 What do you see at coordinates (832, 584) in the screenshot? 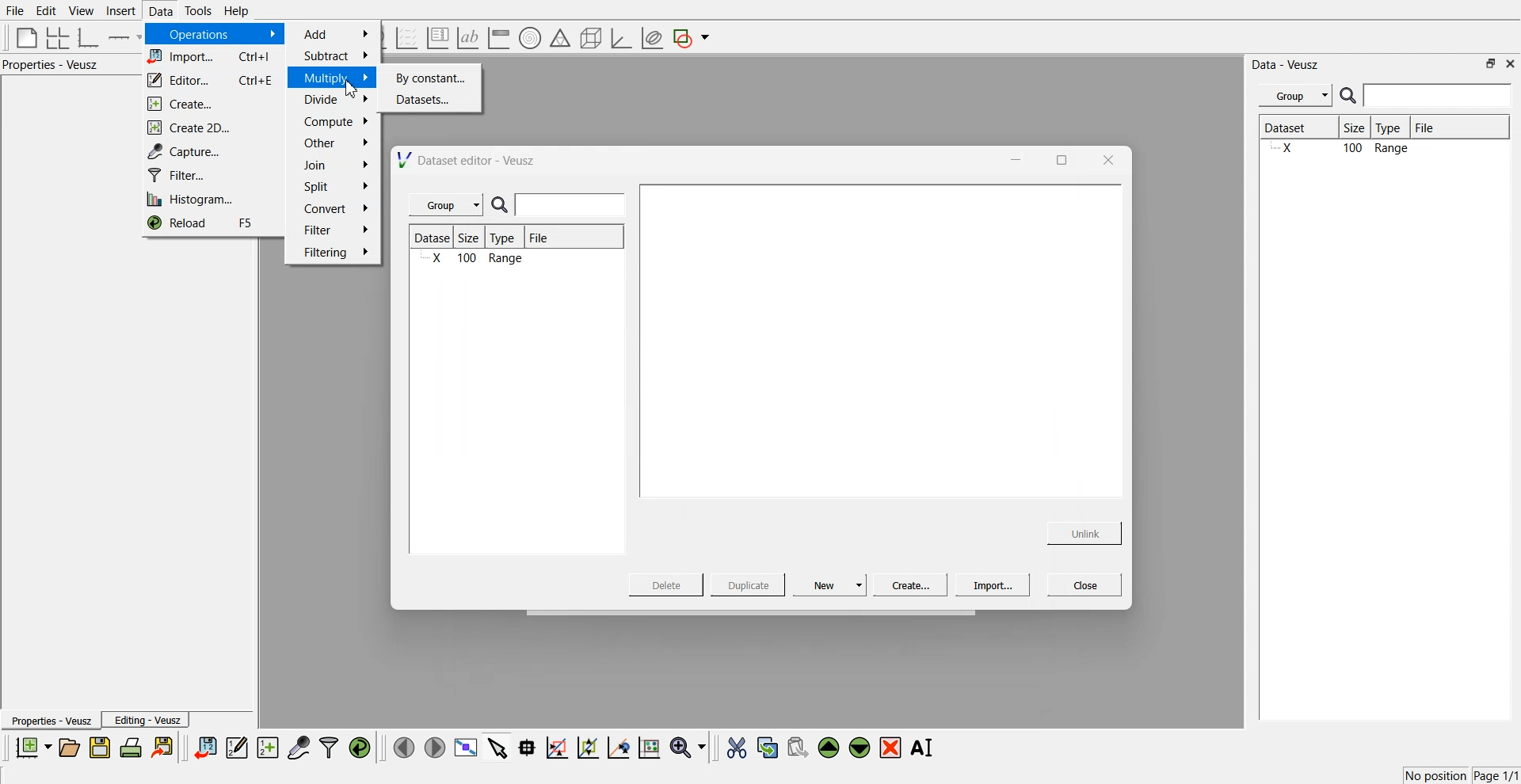
I see `New` at bounding box center [832, 584].